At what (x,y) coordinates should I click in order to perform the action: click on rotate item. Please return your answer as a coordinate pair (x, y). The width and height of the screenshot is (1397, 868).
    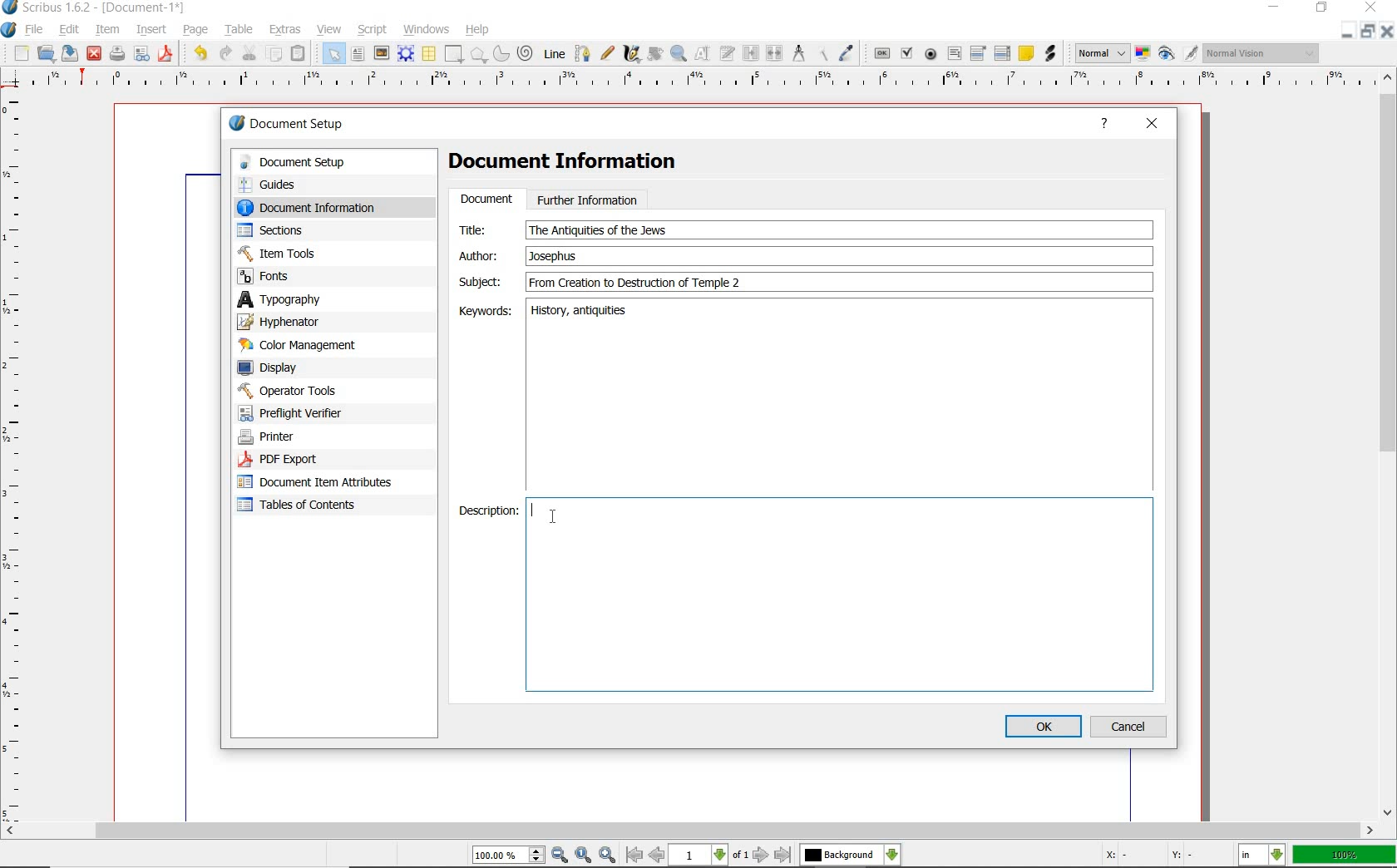
    Looking at the image, I should click on (655, 55).